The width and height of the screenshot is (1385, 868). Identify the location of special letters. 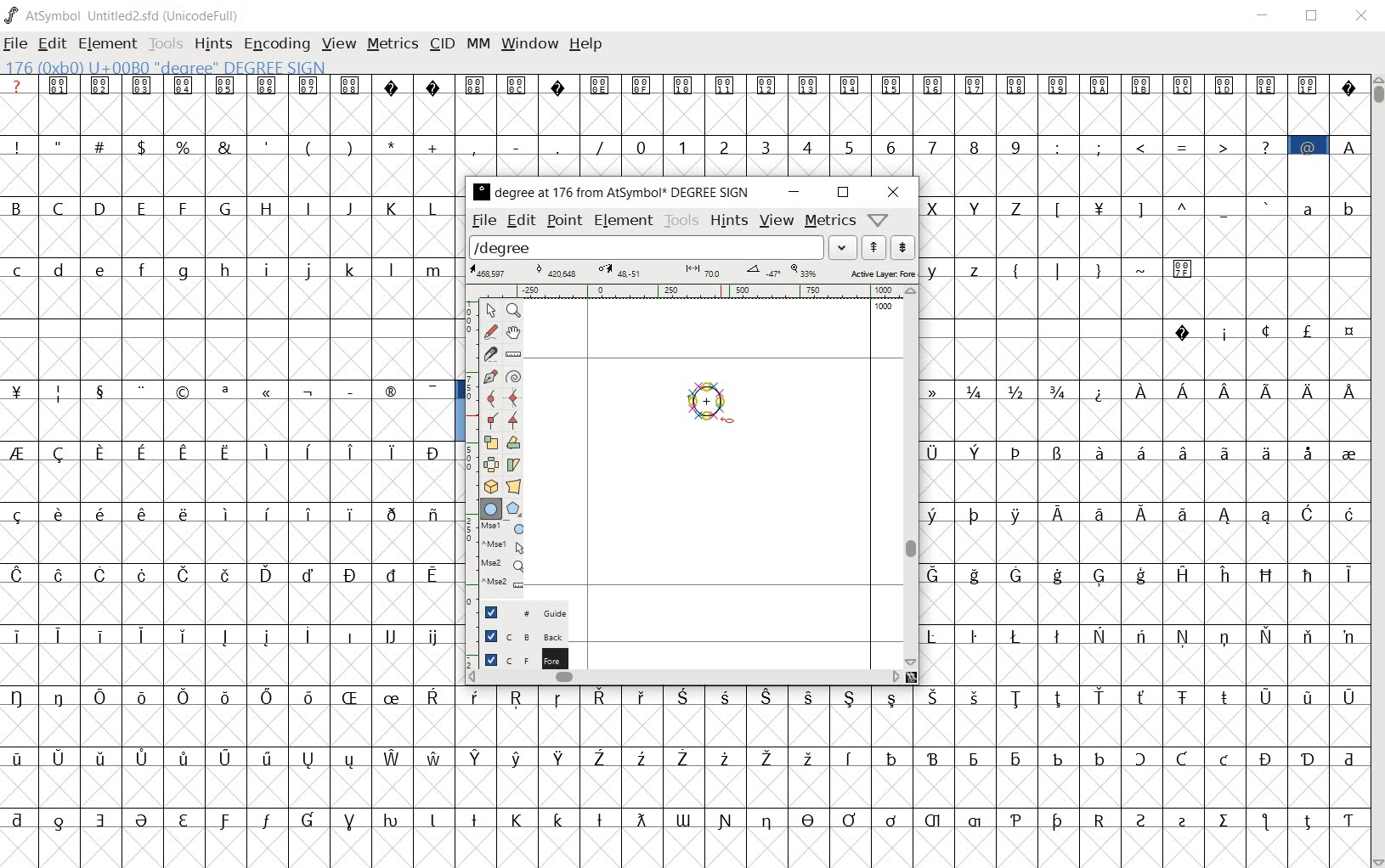
(233, 633).